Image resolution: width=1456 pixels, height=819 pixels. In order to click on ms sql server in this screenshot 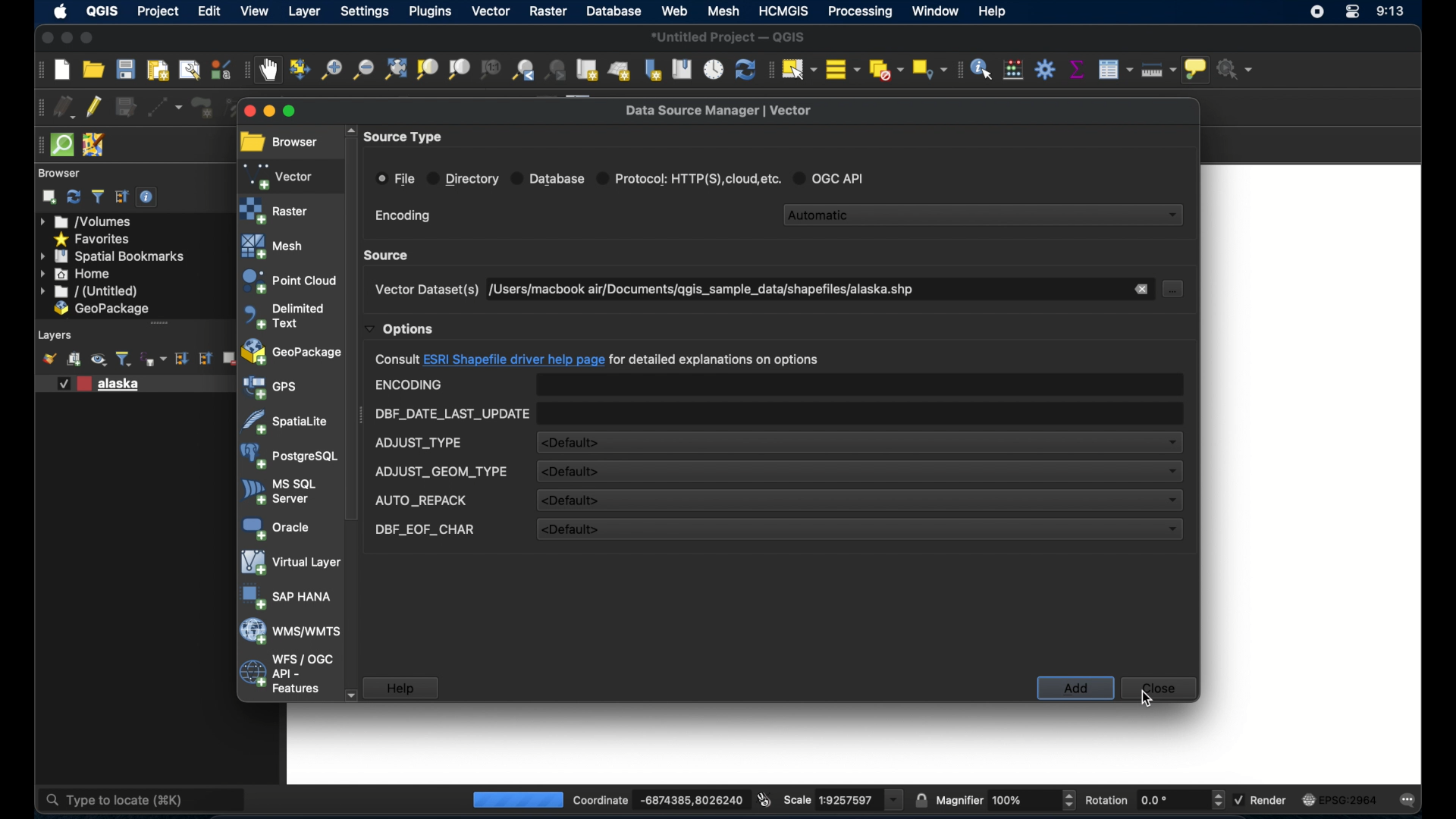, I will do `click(279, 491)`.